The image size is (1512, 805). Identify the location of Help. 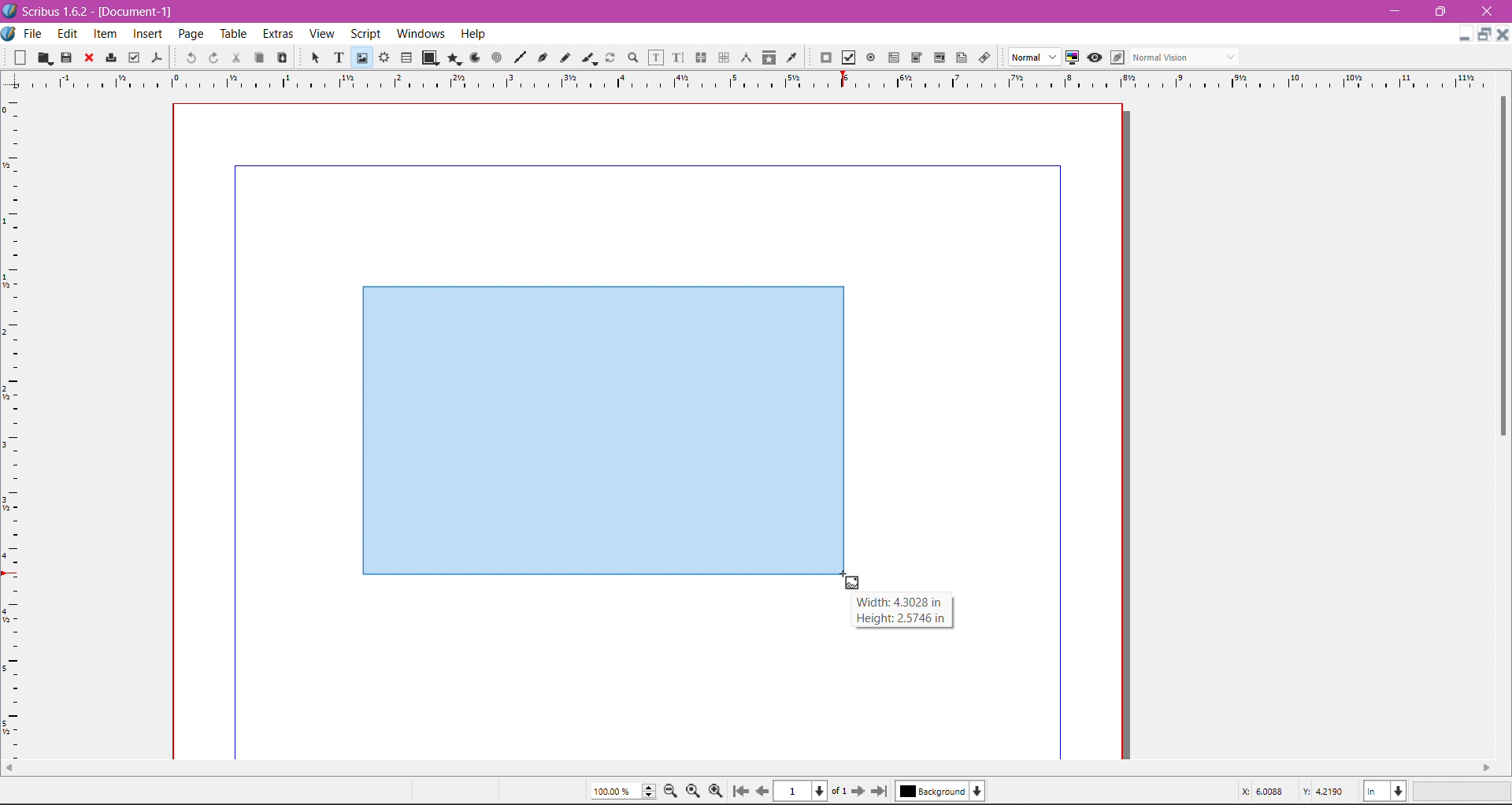
(473, 34).